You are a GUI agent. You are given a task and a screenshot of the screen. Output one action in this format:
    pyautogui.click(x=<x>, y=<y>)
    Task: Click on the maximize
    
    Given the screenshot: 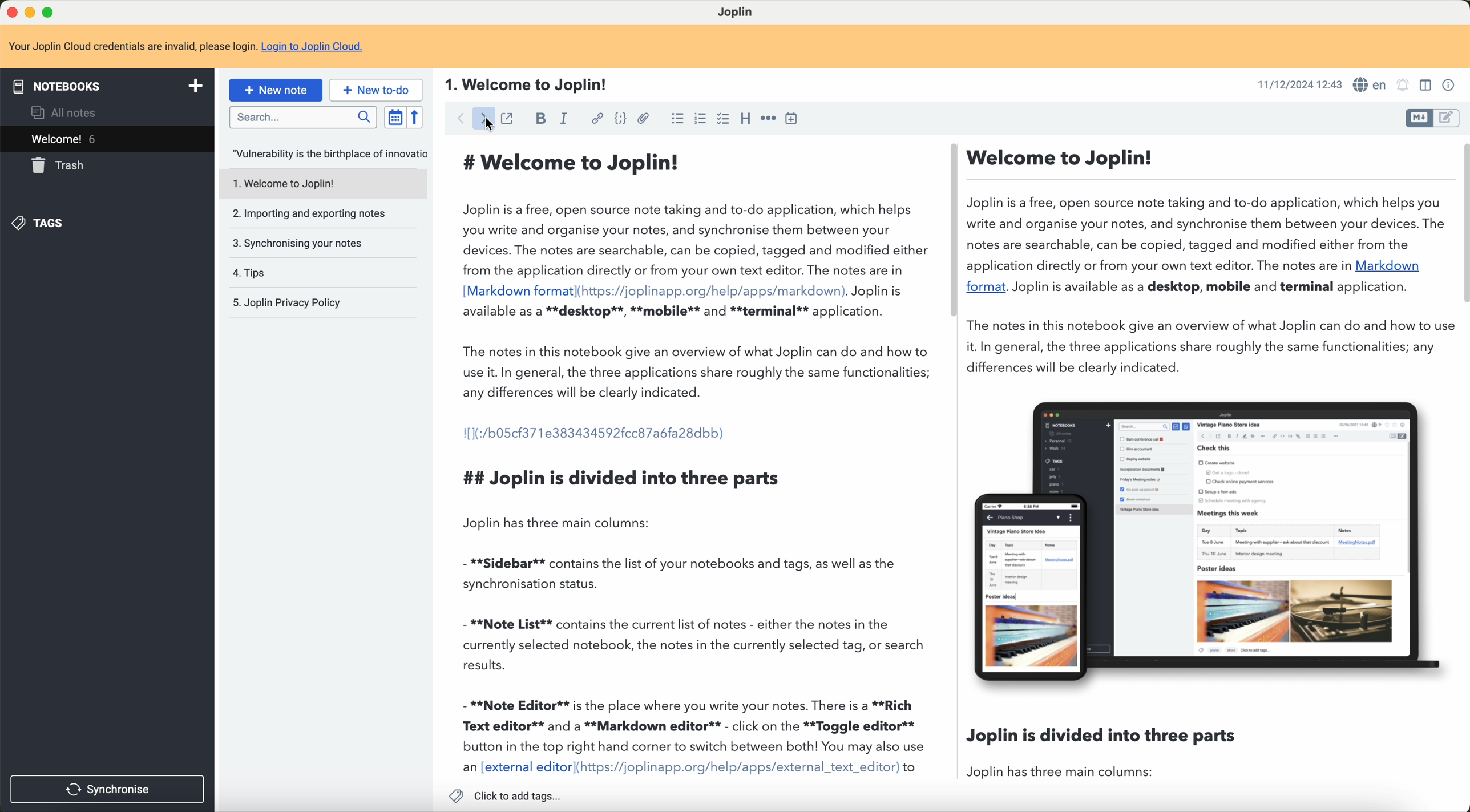 What is the action you would take?
    pyautogui.click(x=55, y=10)
    